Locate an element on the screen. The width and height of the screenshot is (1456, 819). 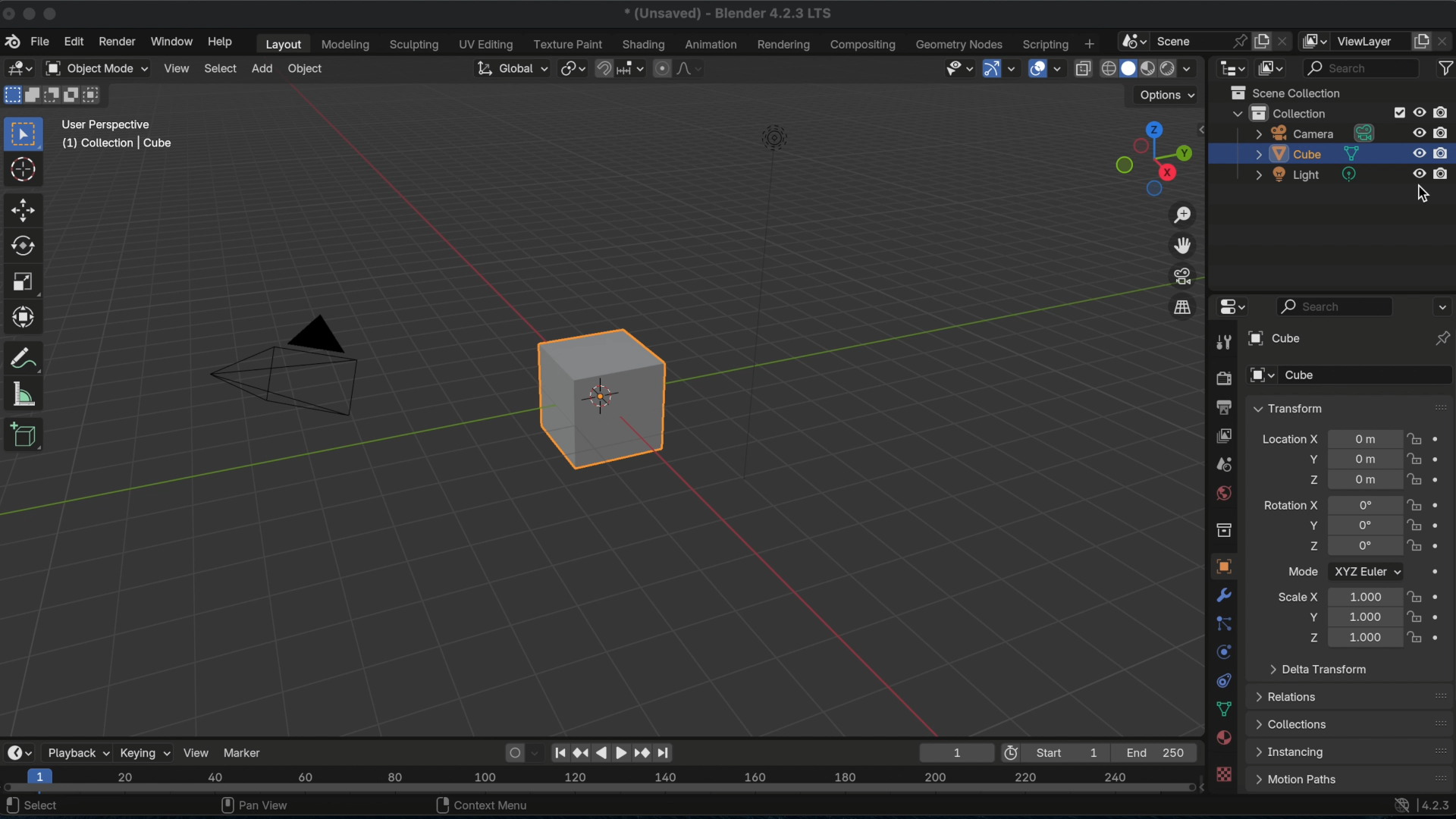
switch the current view from perspective is located at coordinates (1184, 306).